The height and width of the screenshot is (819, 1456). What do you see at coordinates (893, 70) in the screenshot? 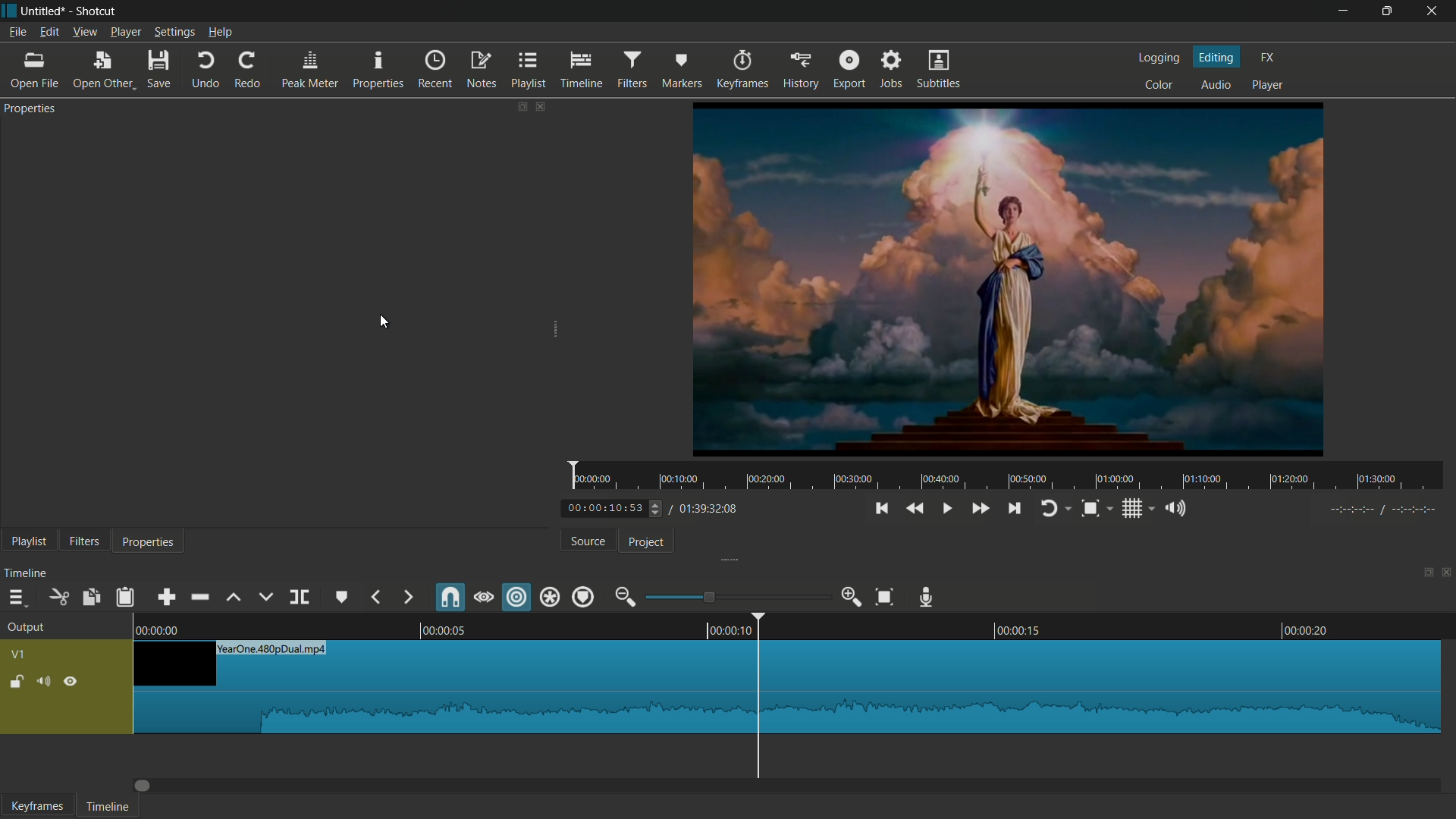
I see `jobs` at bounding box center [893, 70].